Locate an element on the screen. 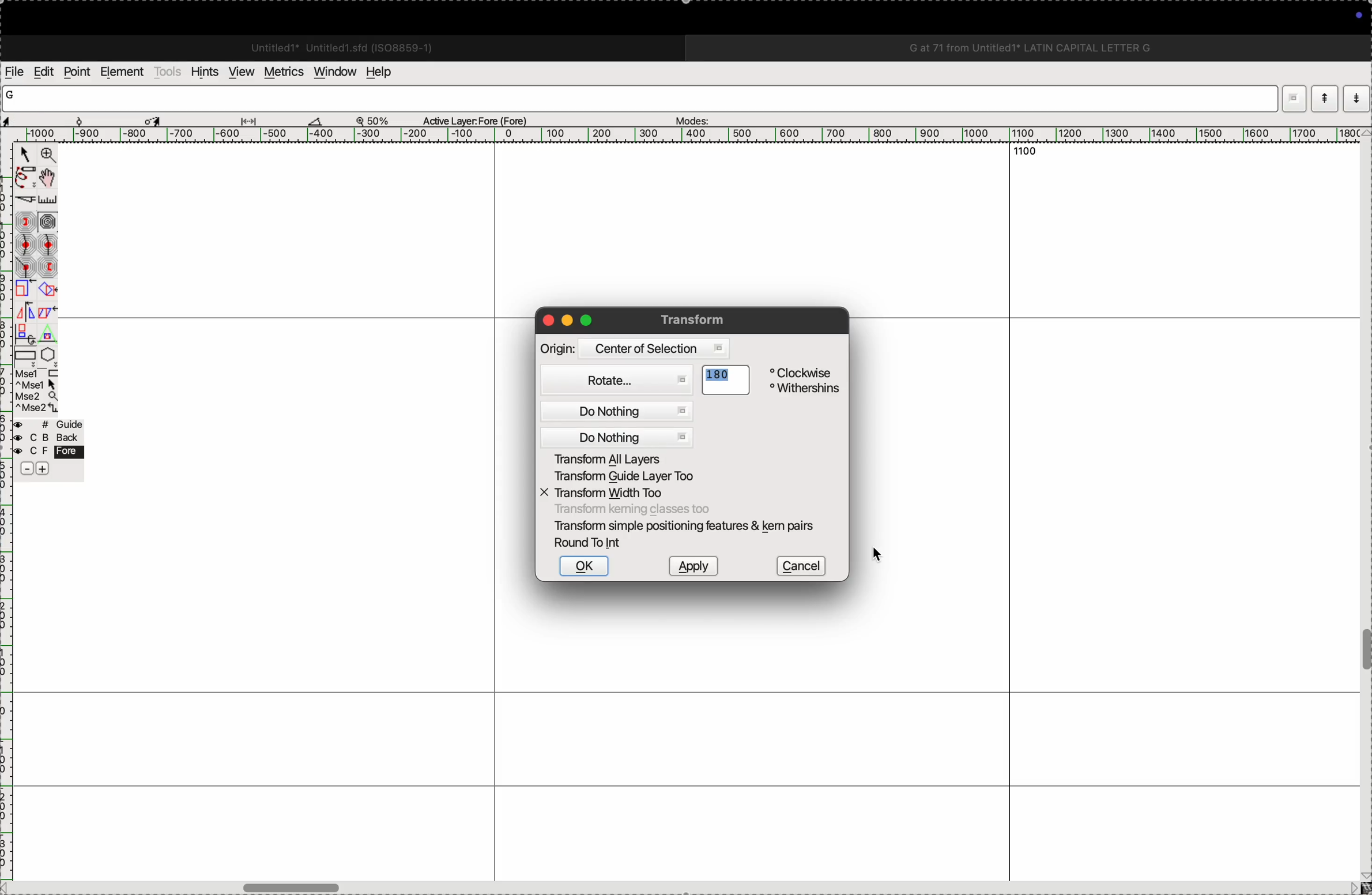 This screenshot has height=895, width=1372. gentle curve is located at coordinates (26, 245).